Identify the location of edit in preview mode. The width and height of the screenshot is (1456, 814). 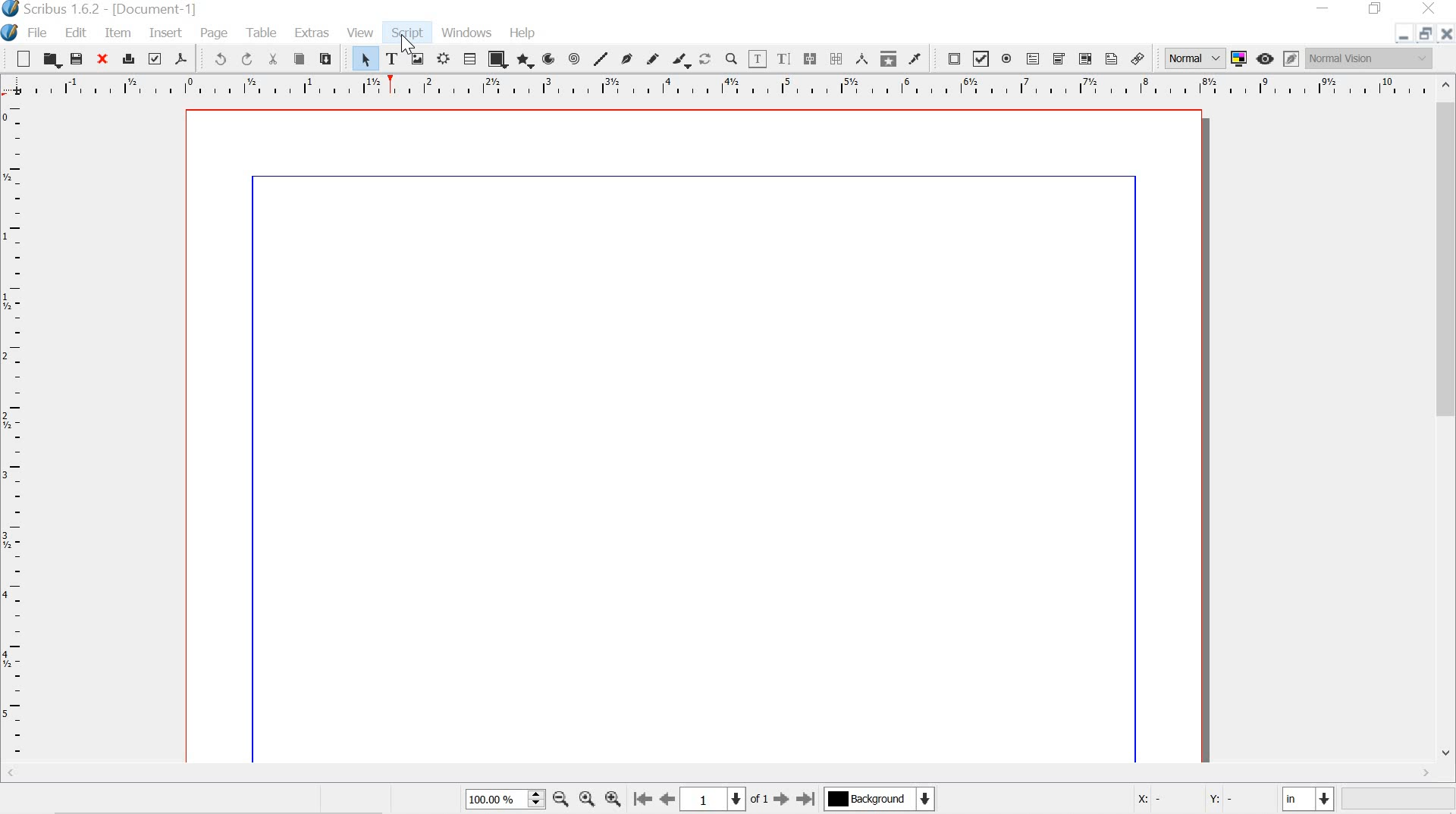
(1291, 58).